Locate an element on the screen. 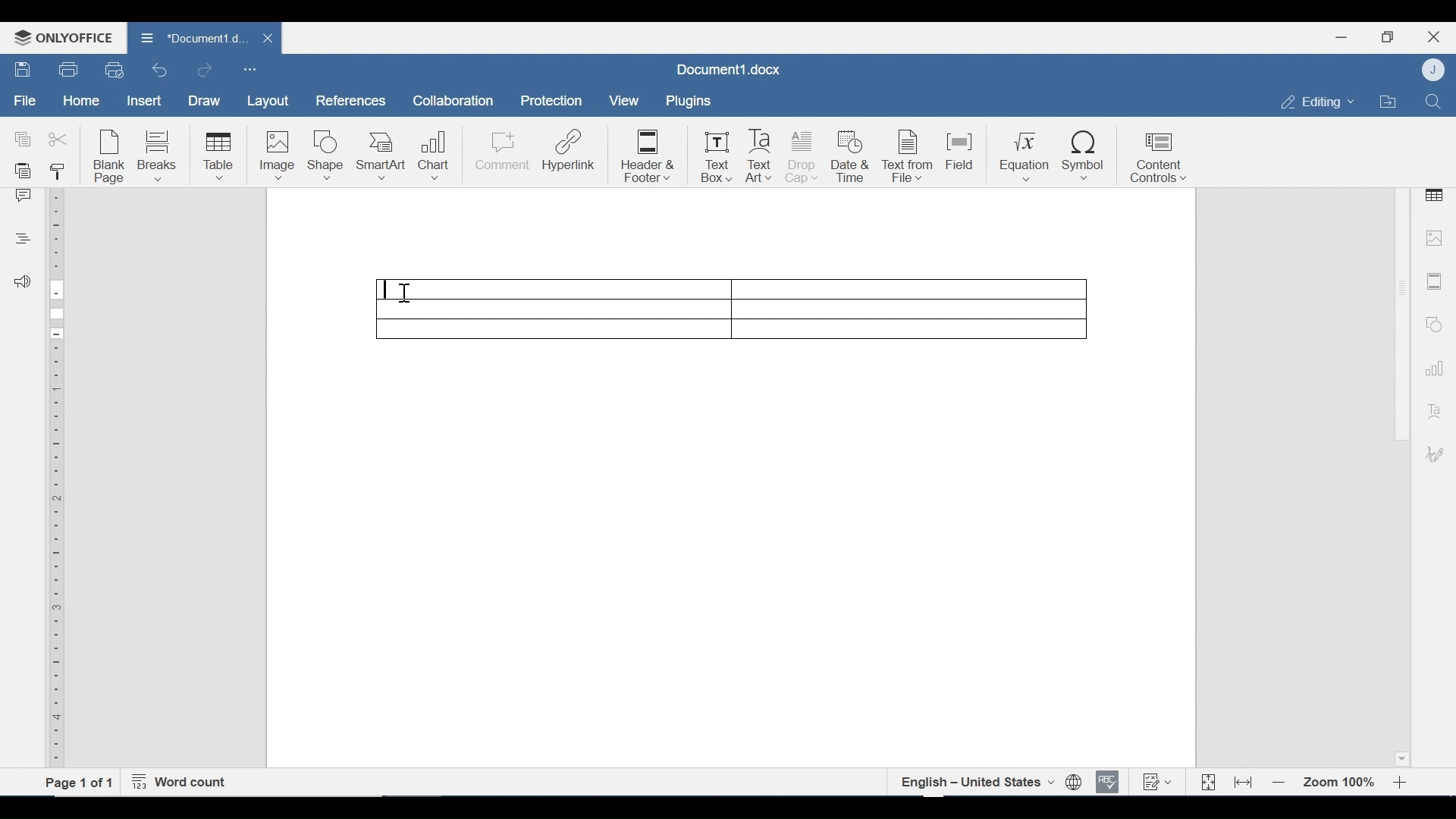 Image resolution: width=1456 pixels, height=819 pixels. Feedback and Support is located at coordinates (22, 283).